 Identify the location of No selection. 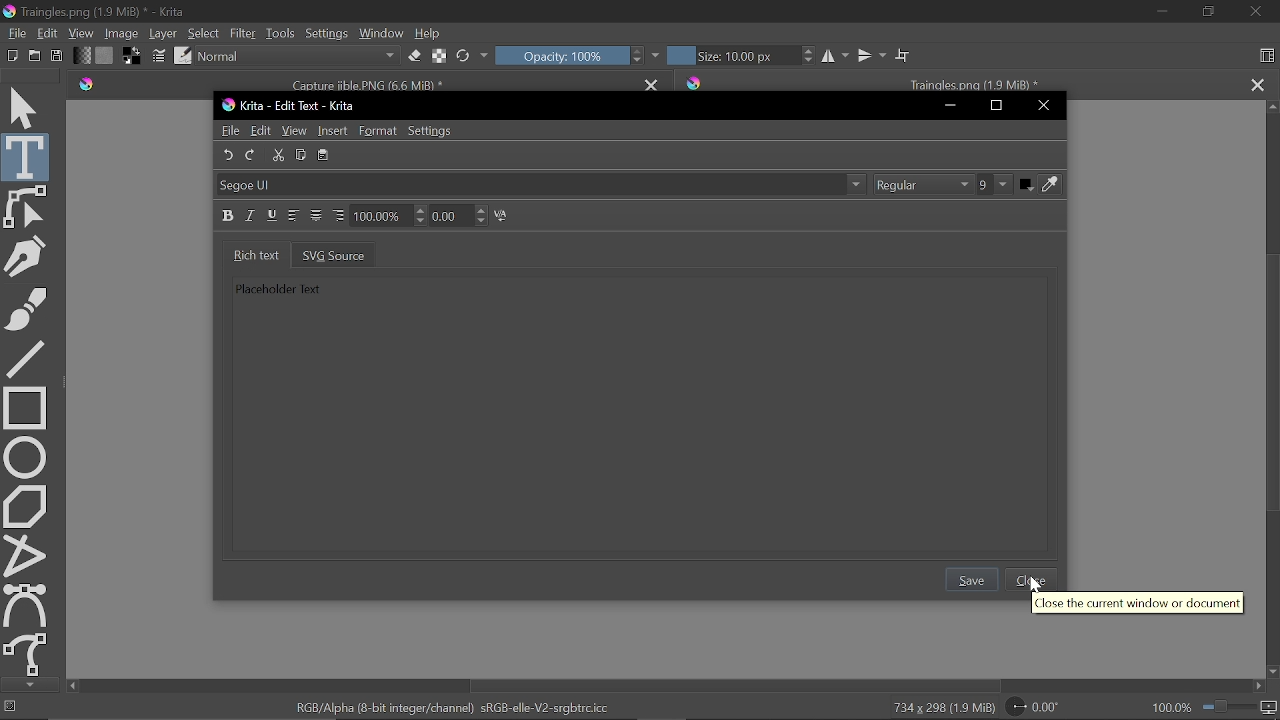
(8, 708).